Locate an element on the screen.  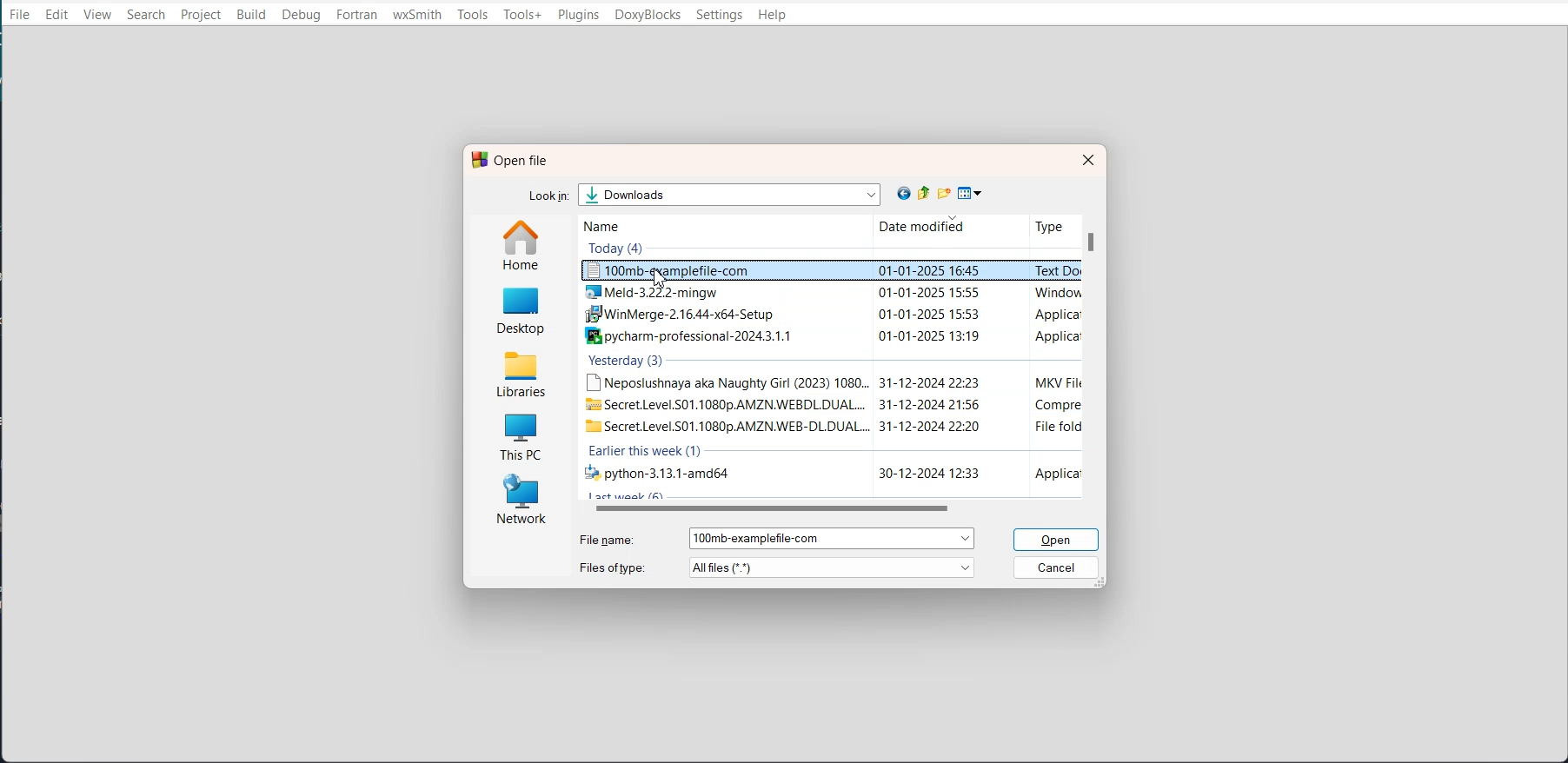
Tools+ is located at coordinates (523, 15).